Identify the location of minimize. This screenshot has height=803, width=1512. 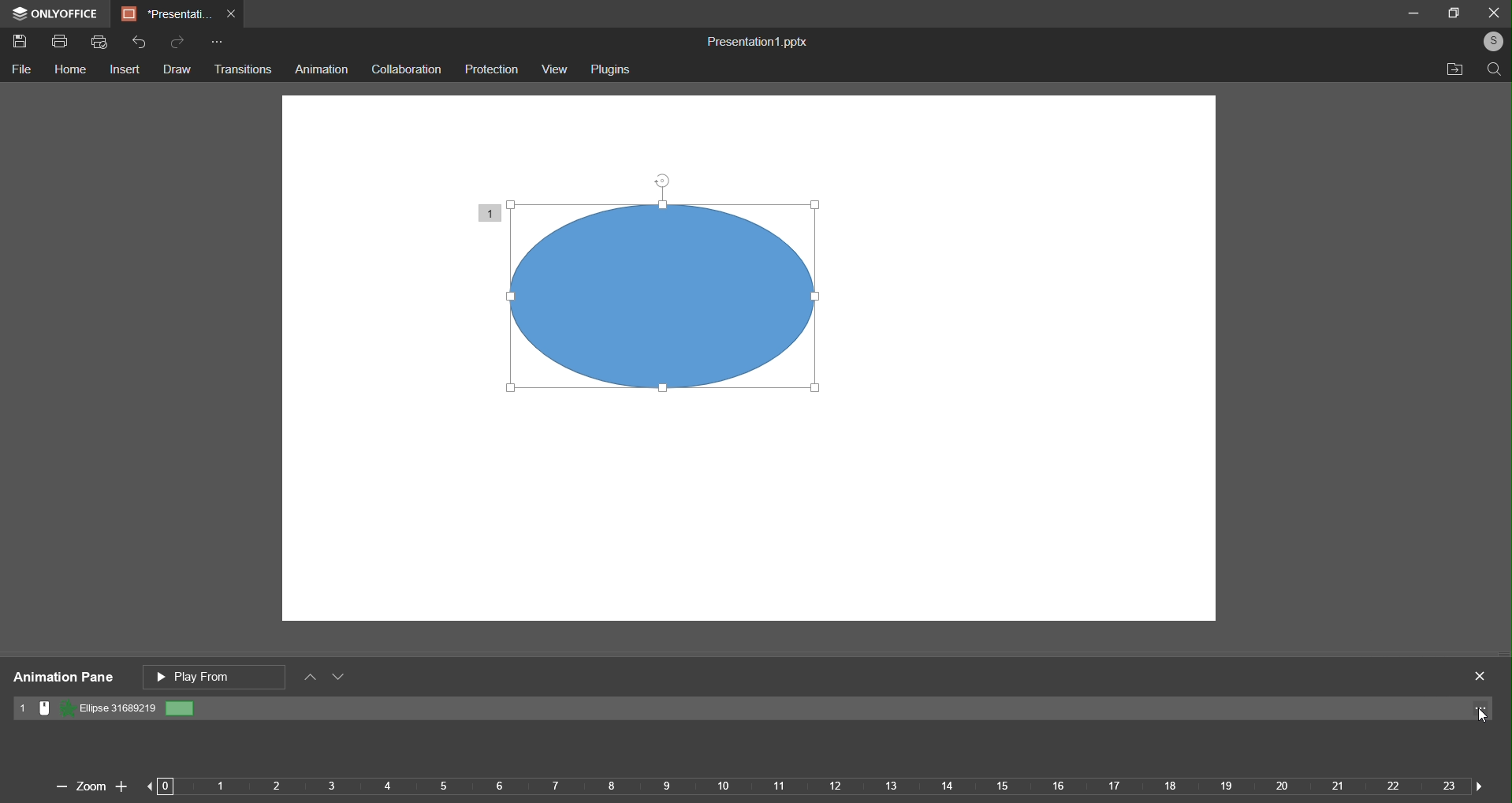
(1413, 12).